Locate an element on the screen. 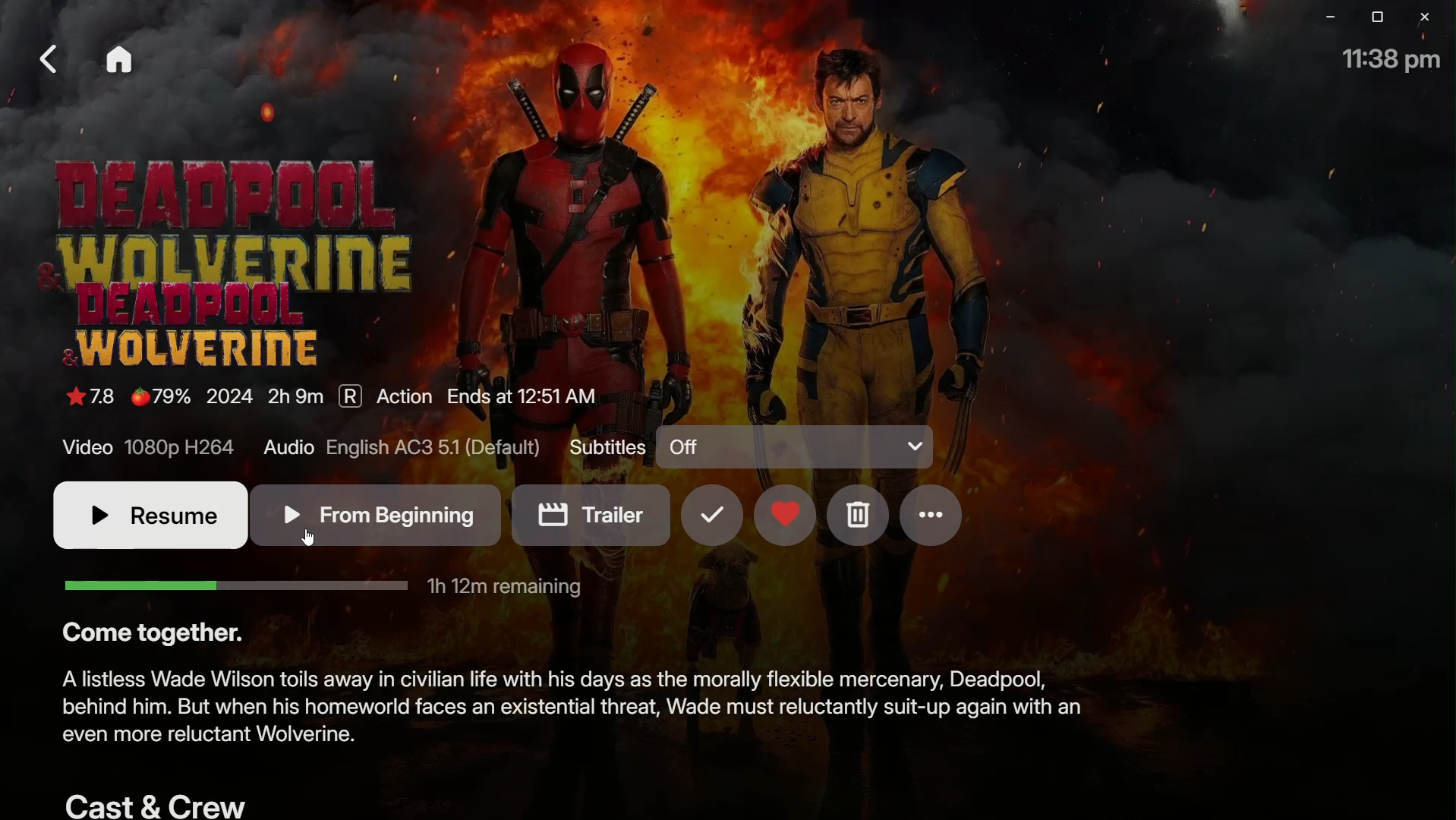 The image size is (1456, 820). Mark as watched is located at coordinates (711, 516).